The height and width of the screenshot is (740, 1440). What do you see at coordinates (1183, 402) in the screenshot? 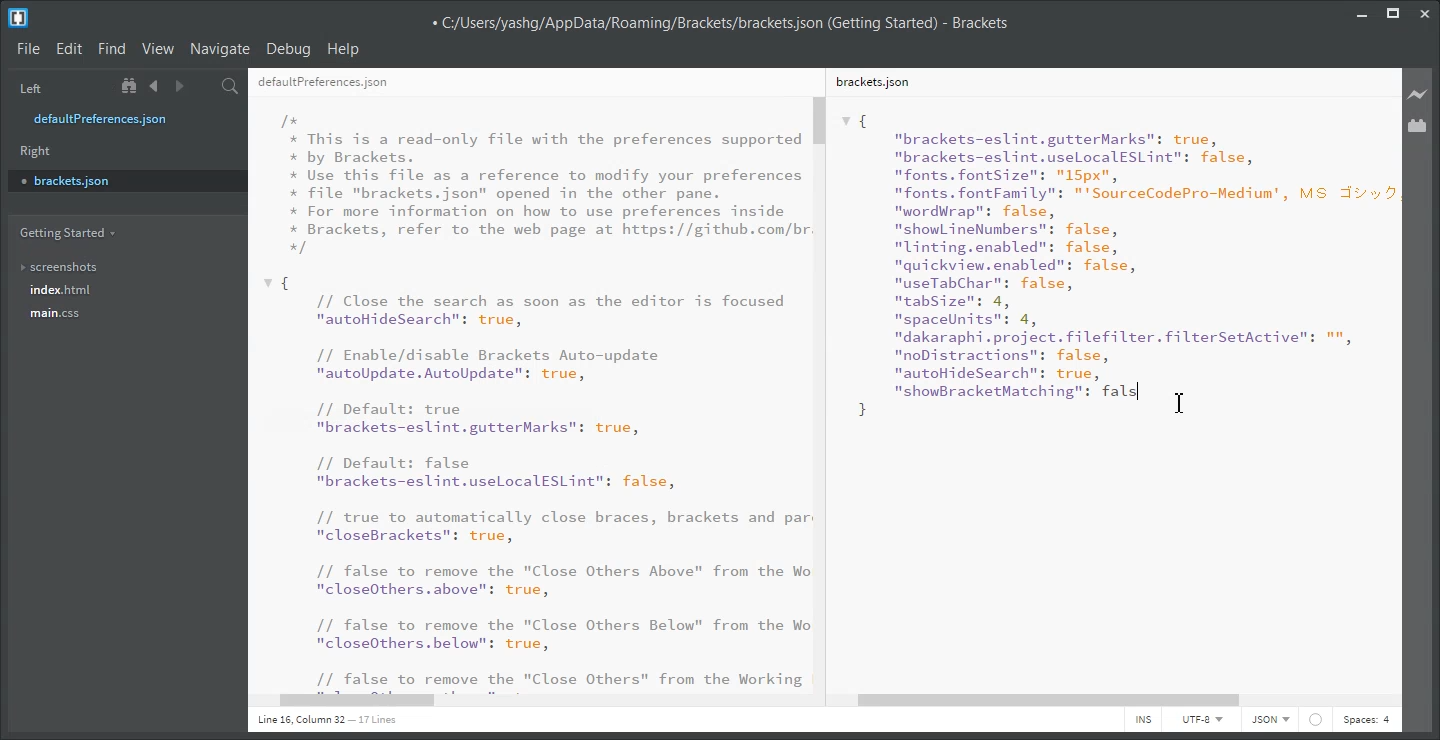
I see `cursor` at bounding box center [1183, 402].